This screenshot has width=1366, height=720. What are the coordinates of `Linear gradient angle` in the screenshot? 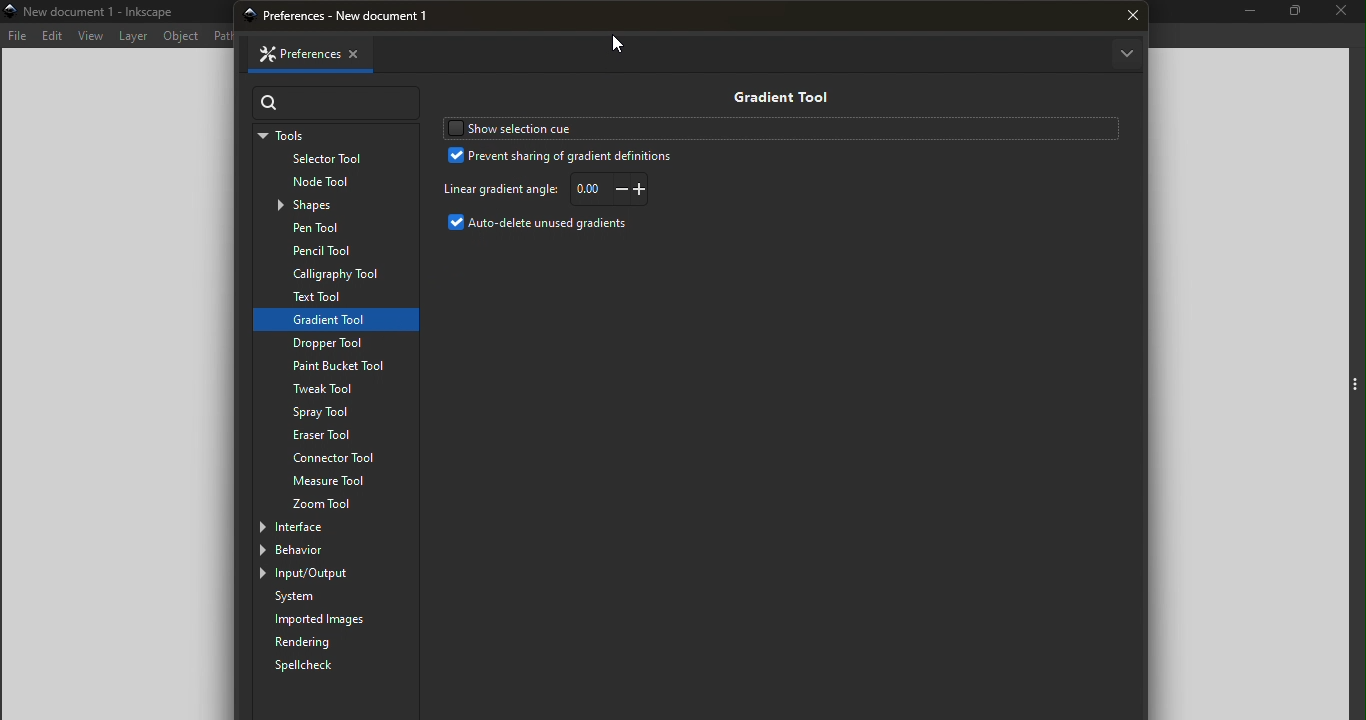 It's located at (499, 189).